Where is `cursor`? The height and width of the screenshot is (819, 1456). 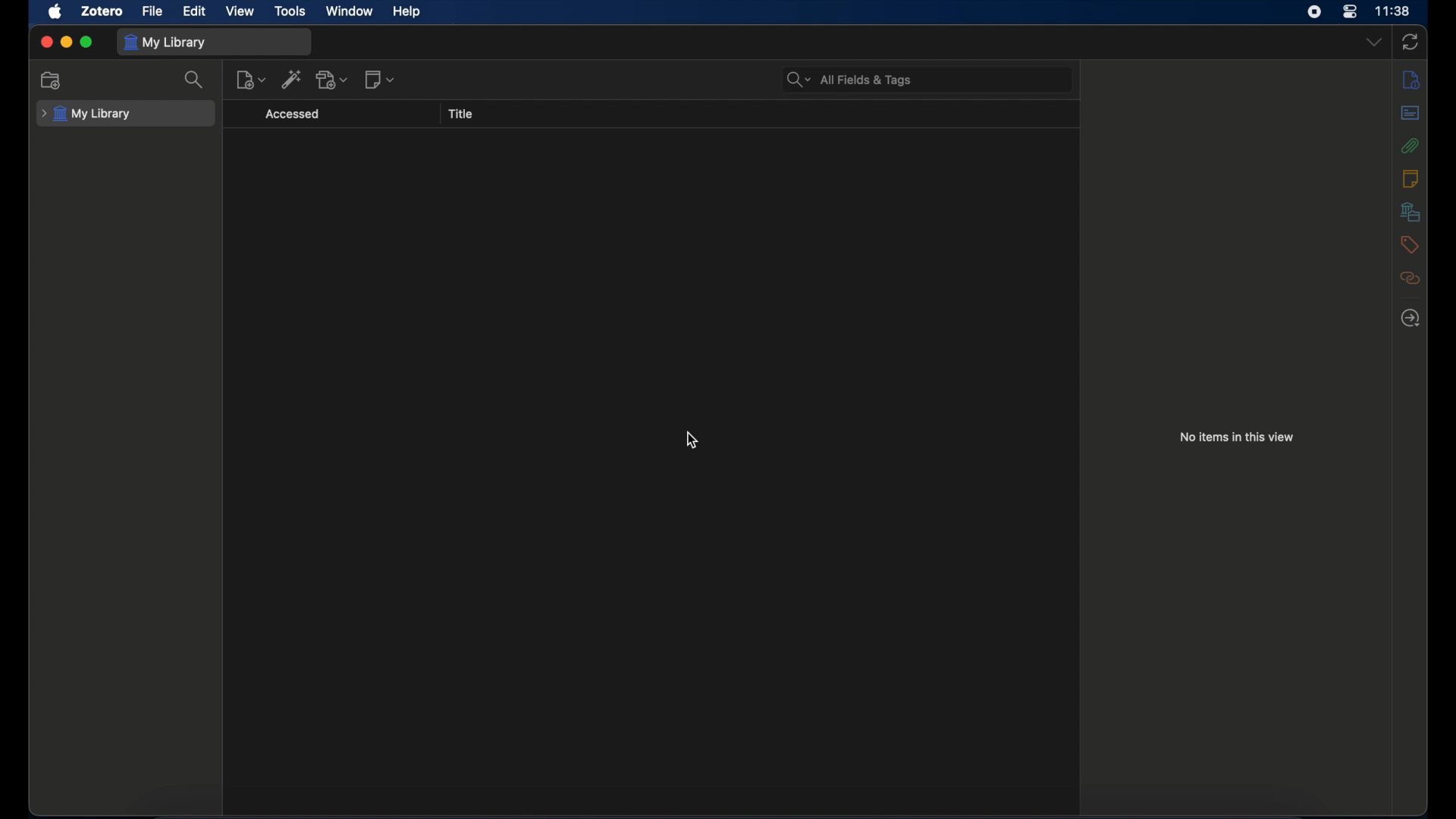 cursor is located at coordinates (691, 441).